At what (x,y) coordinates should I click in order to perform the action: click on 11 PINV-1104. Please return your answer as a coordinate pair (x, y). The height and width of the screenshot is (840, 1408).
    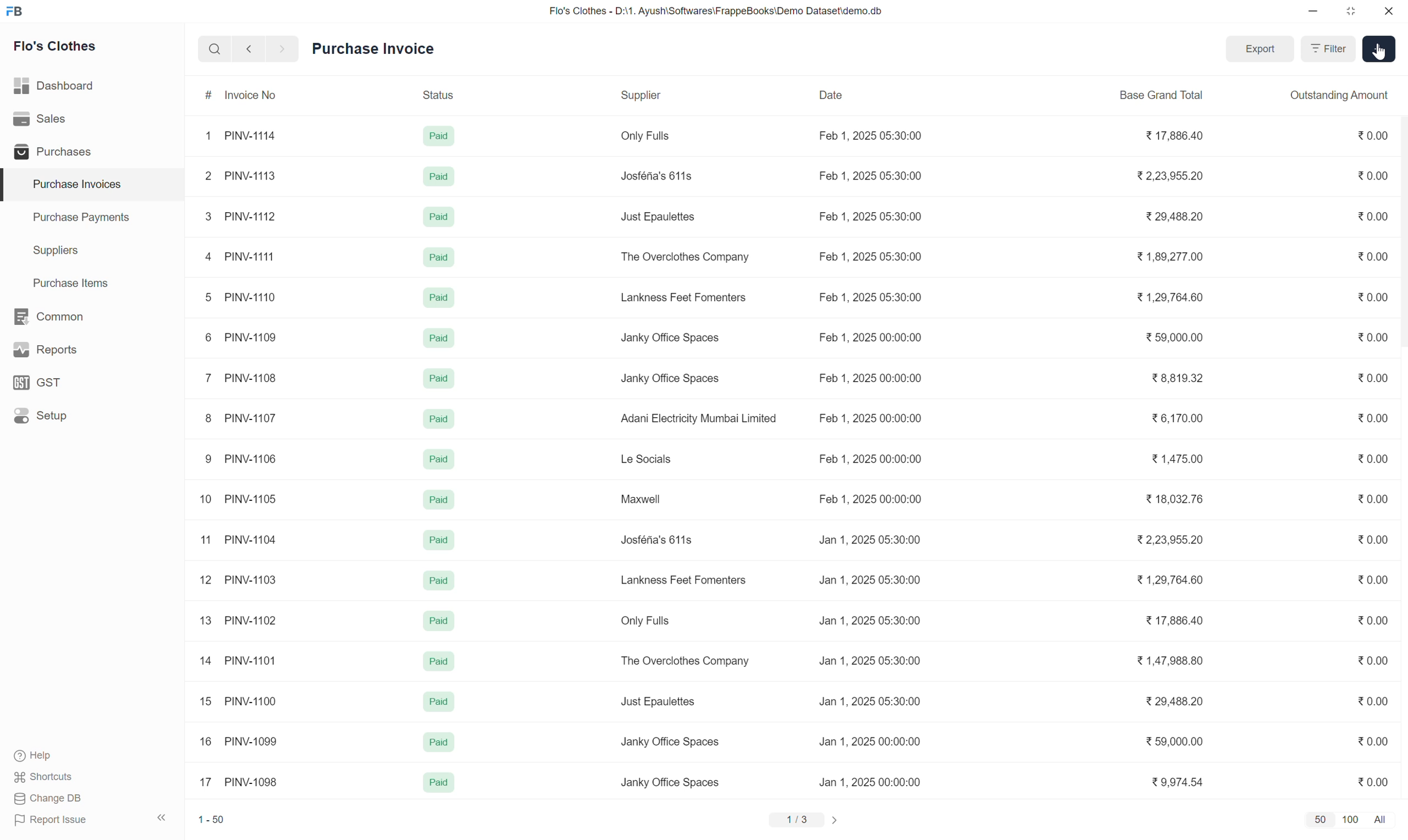
    Looking at the image, I should click on (238, 539).